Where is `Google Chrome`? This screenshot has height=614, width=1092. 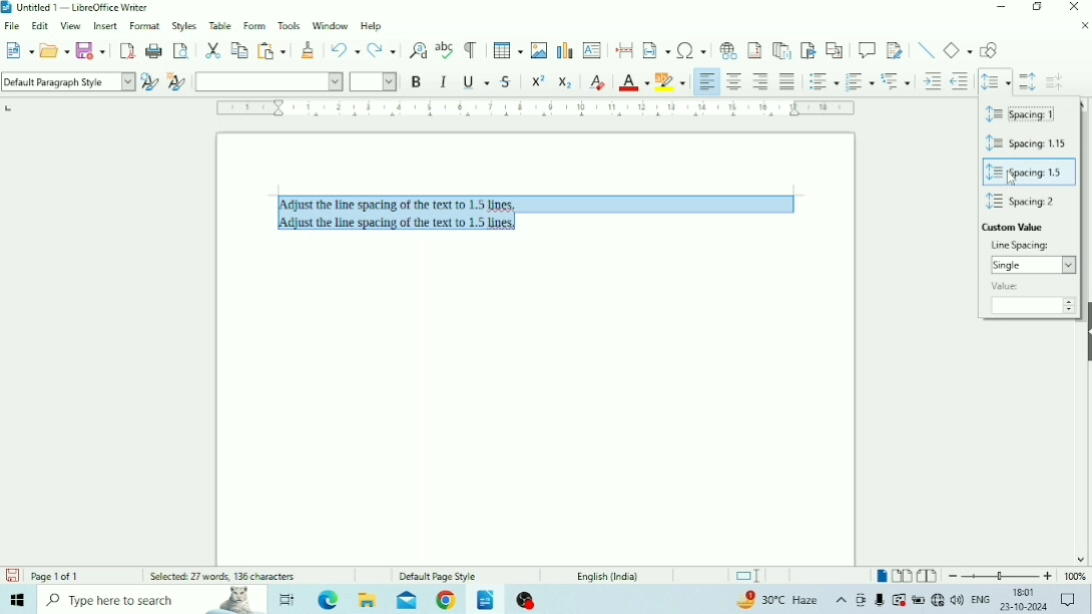
Google Chrome is located at coordinates (446, 600).